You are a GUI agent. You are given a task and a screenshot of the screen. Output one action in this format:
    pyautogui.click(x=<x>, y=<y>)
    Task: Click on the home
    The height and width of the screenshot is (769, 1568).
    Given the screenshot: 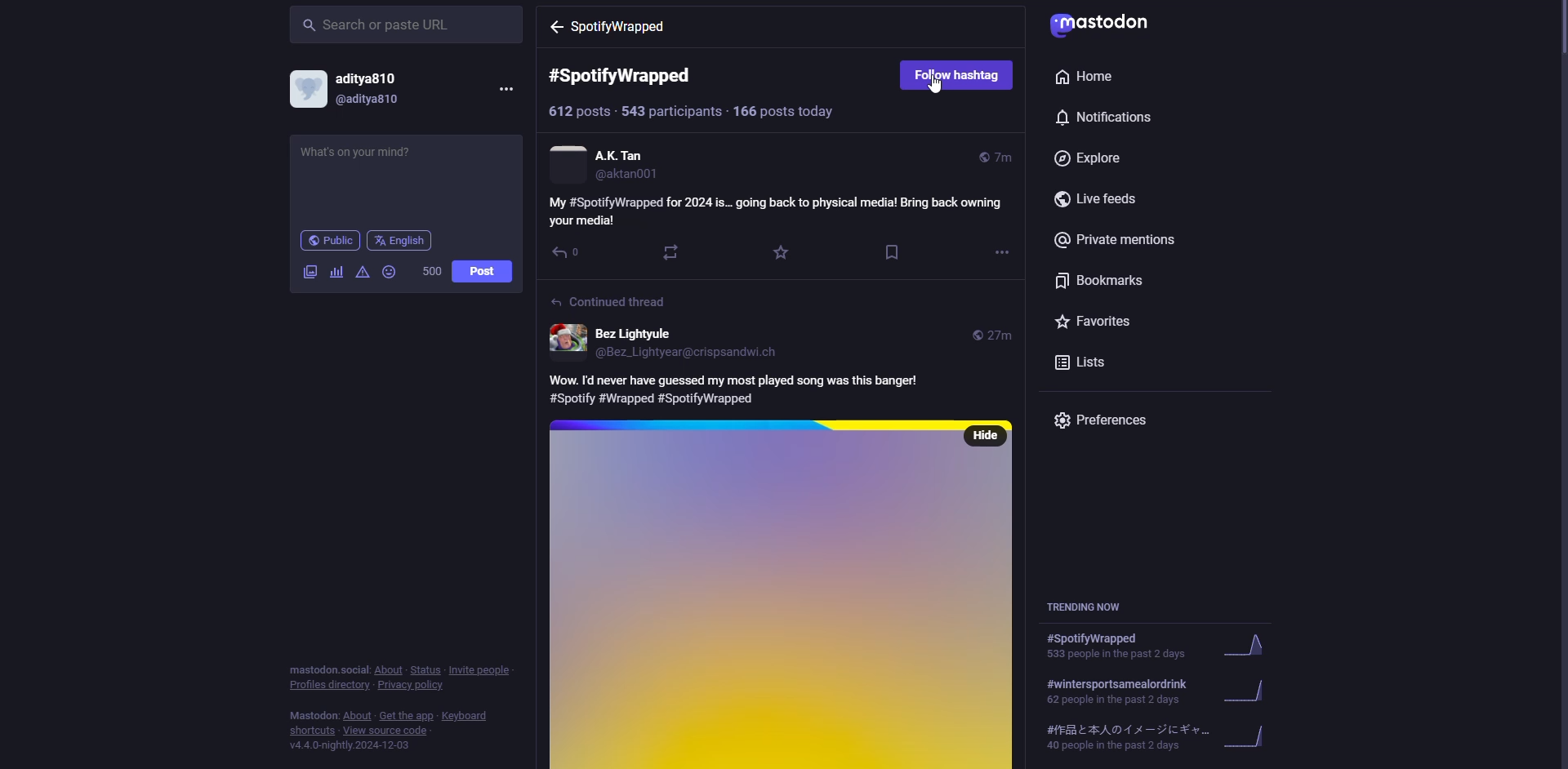 What is the action you would take?
    pyautogui.click(x=1081, y=77)
    